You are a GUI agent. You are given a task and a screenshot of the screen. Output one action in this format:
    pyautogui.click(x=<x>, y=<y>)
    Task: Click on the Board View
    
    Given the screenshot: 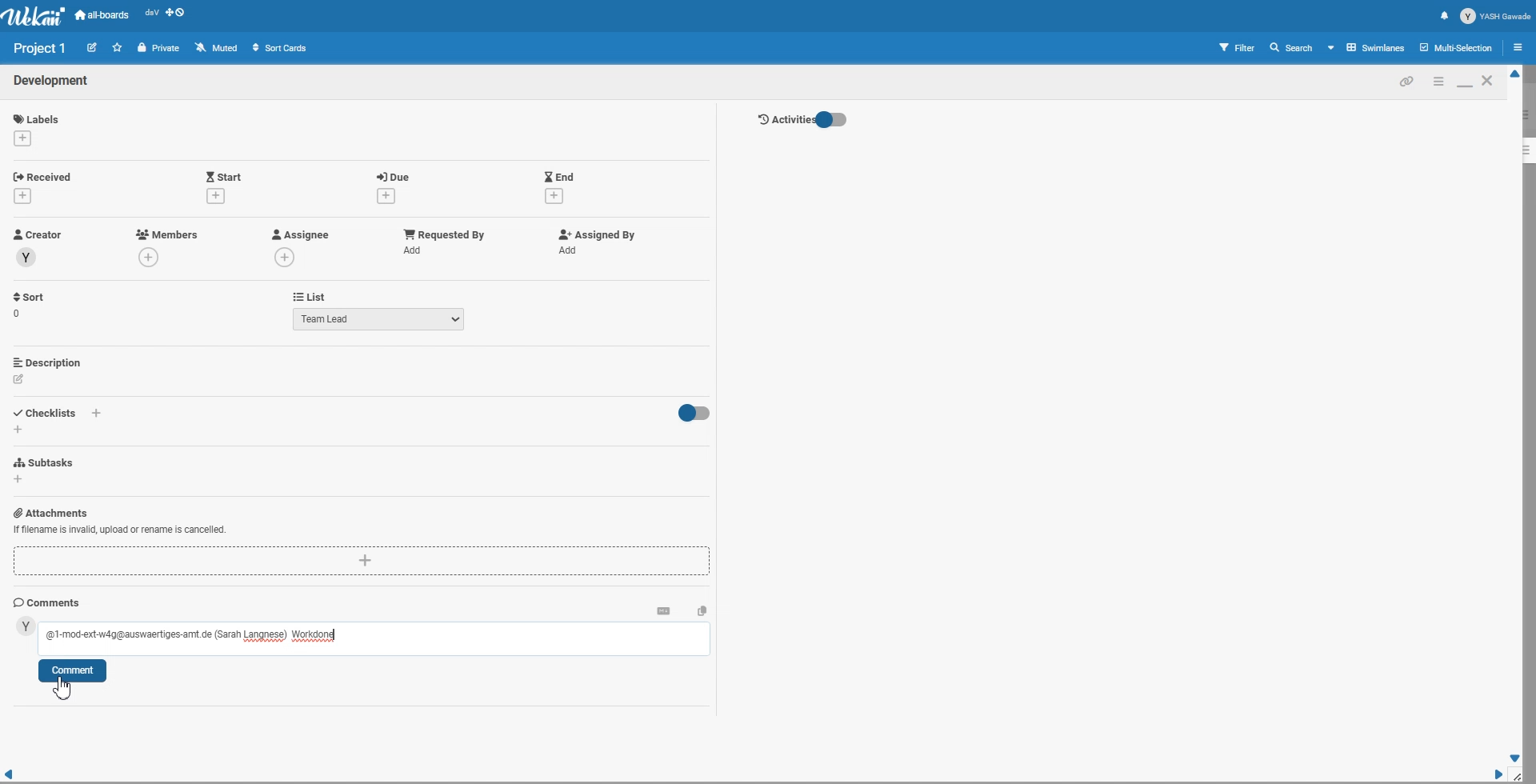 What is the action you would take?
    pyautogui.click(x=1367, y=47)
    